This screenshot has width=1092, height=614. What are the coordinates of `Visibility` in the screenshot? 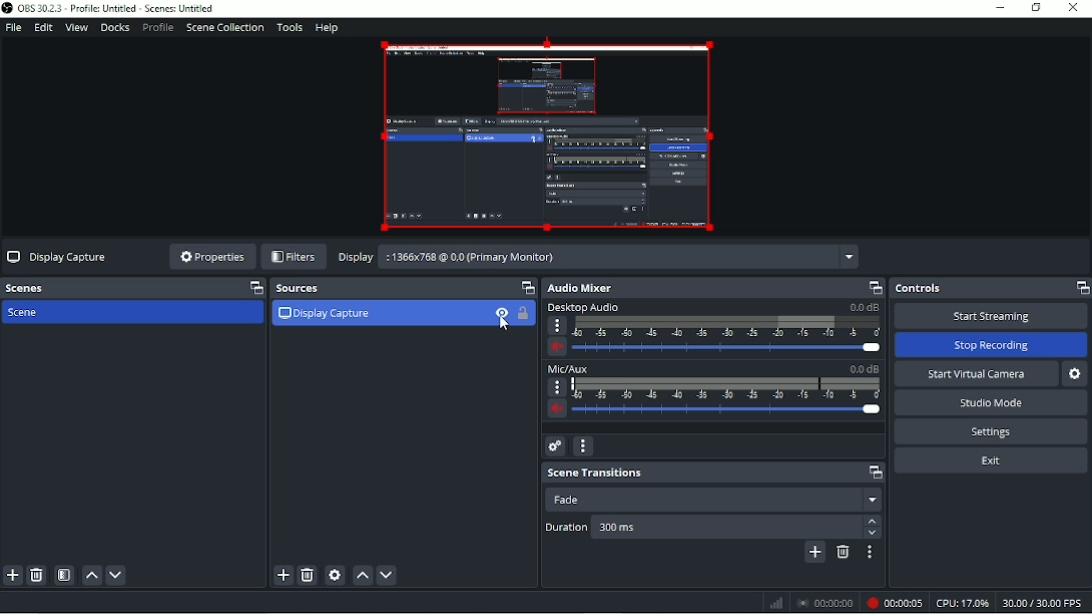 It's located at (501, 319).